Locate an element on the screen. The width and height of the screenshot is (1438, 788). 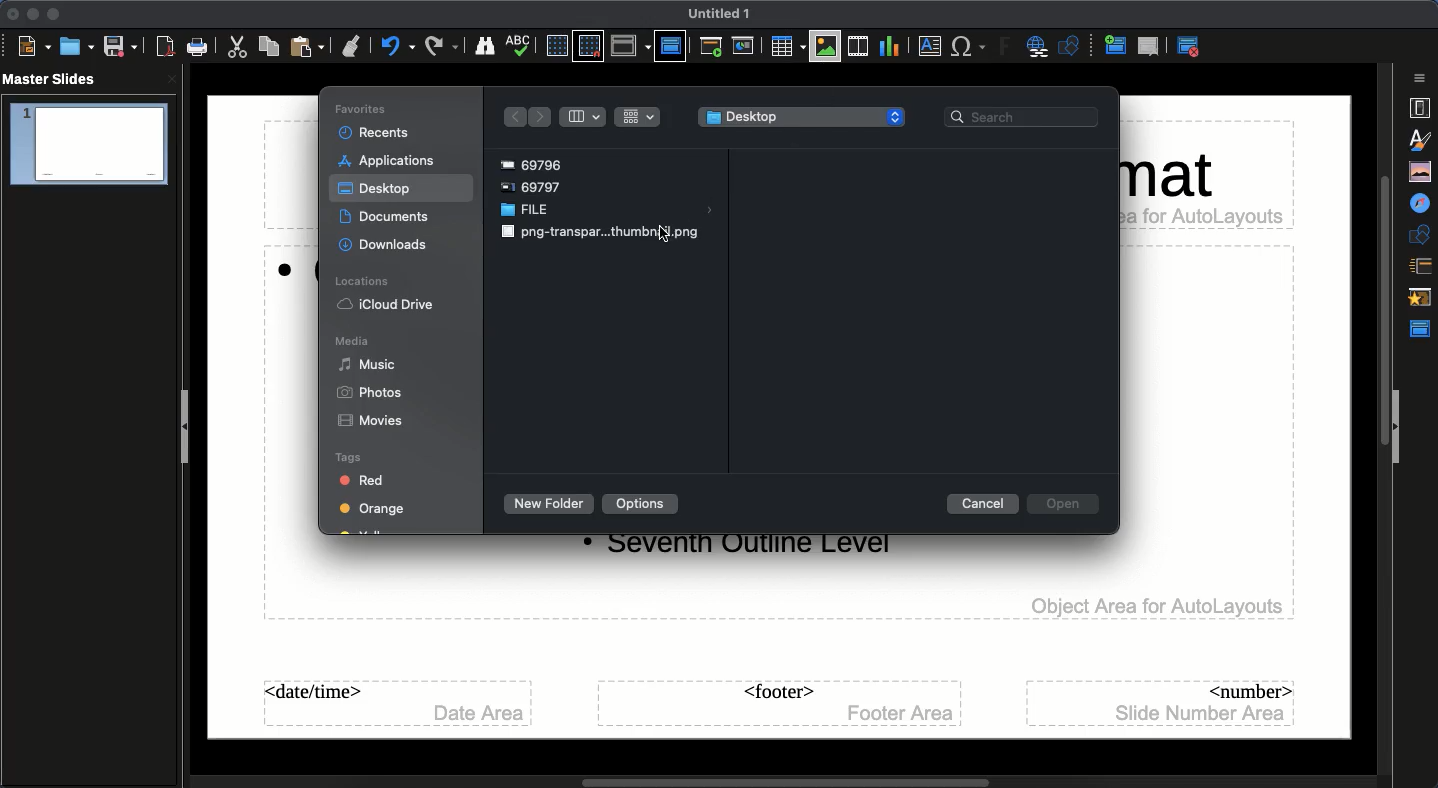
Video audio is located at coordinates (856, 47).